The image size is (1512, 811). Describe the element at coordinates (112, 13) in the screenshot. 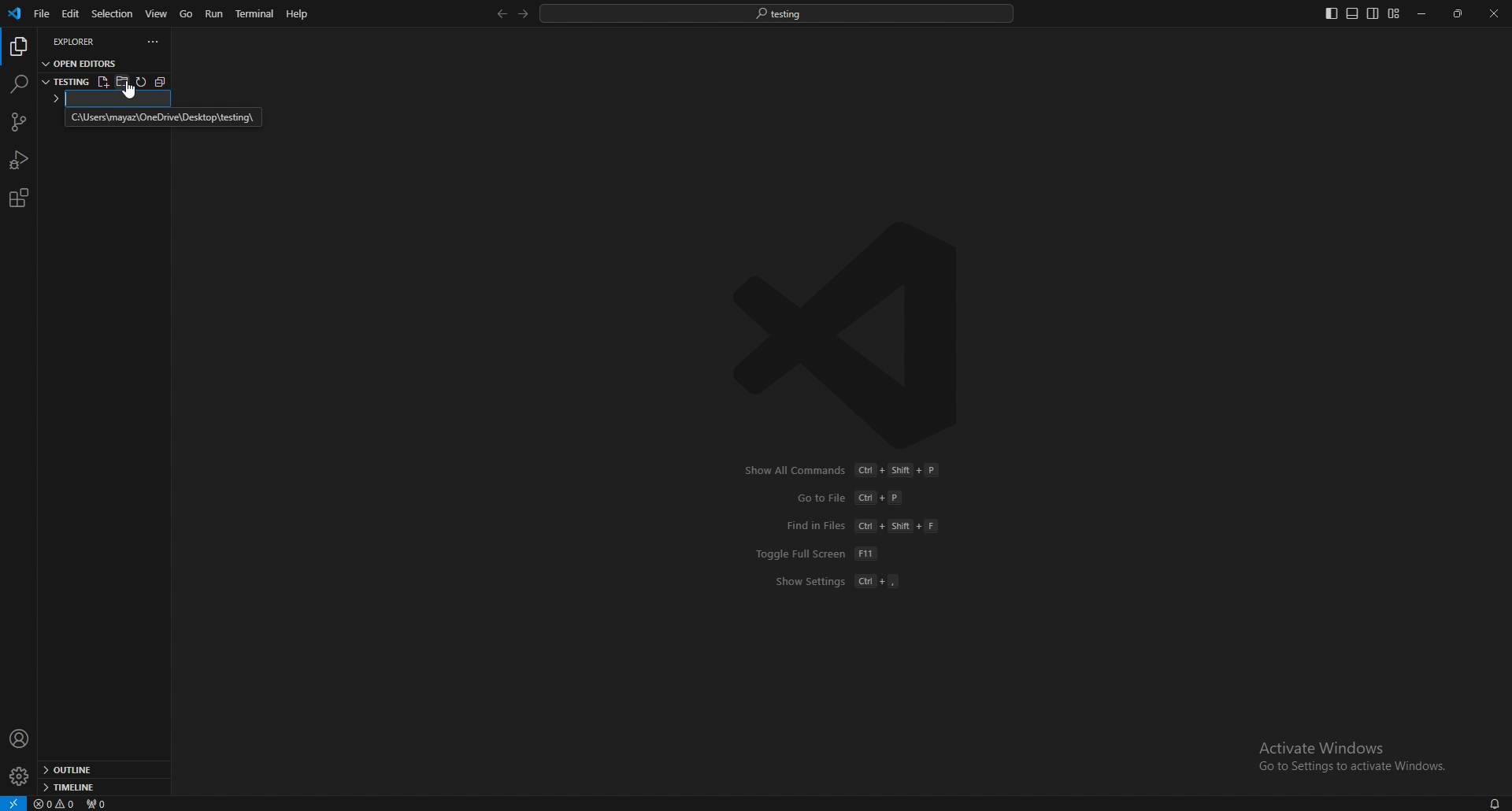

I see `selection` at that location.